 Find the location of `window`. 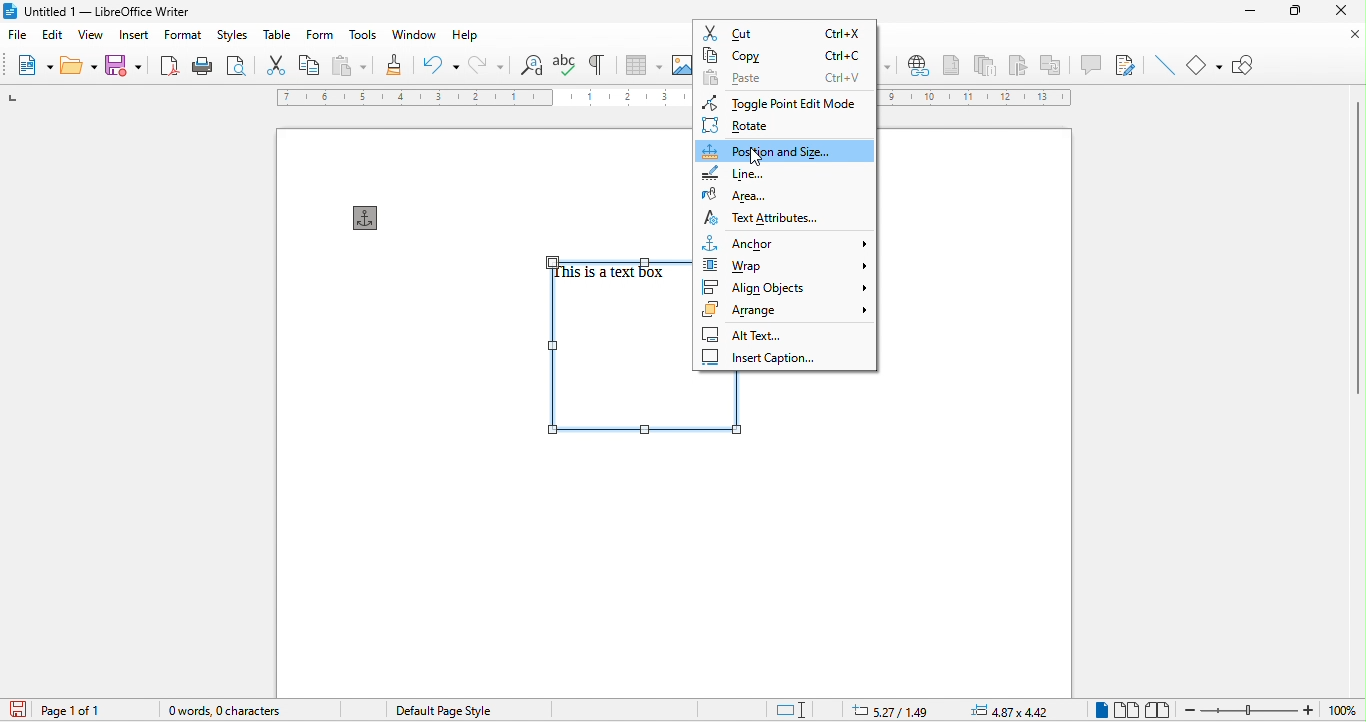

window is located at coordinates (415, 35).